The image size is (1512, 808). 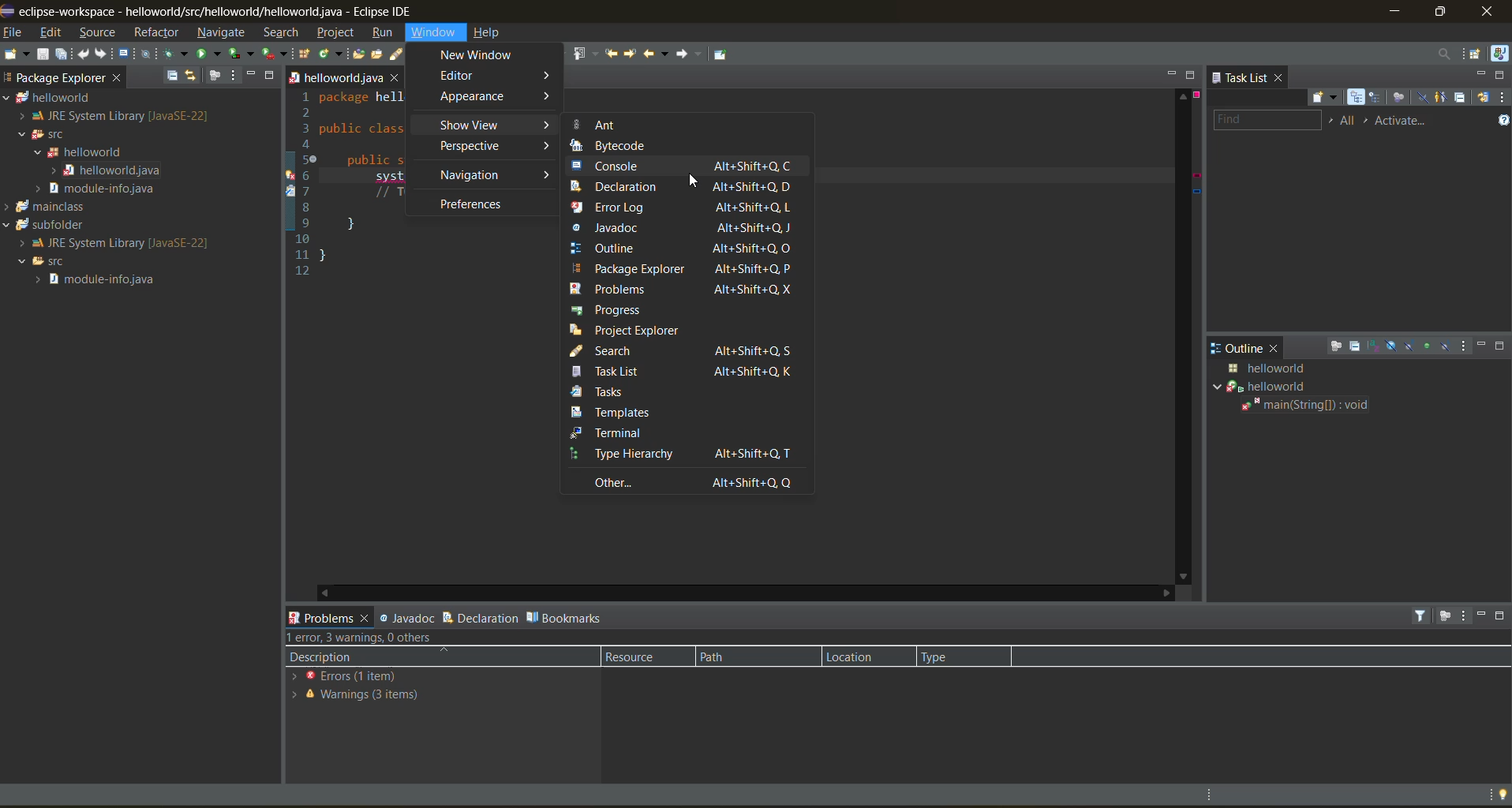 What do you see at coordinates (690, 54) in the screenshot?
I see `forward` at bounding box center [690, 54].